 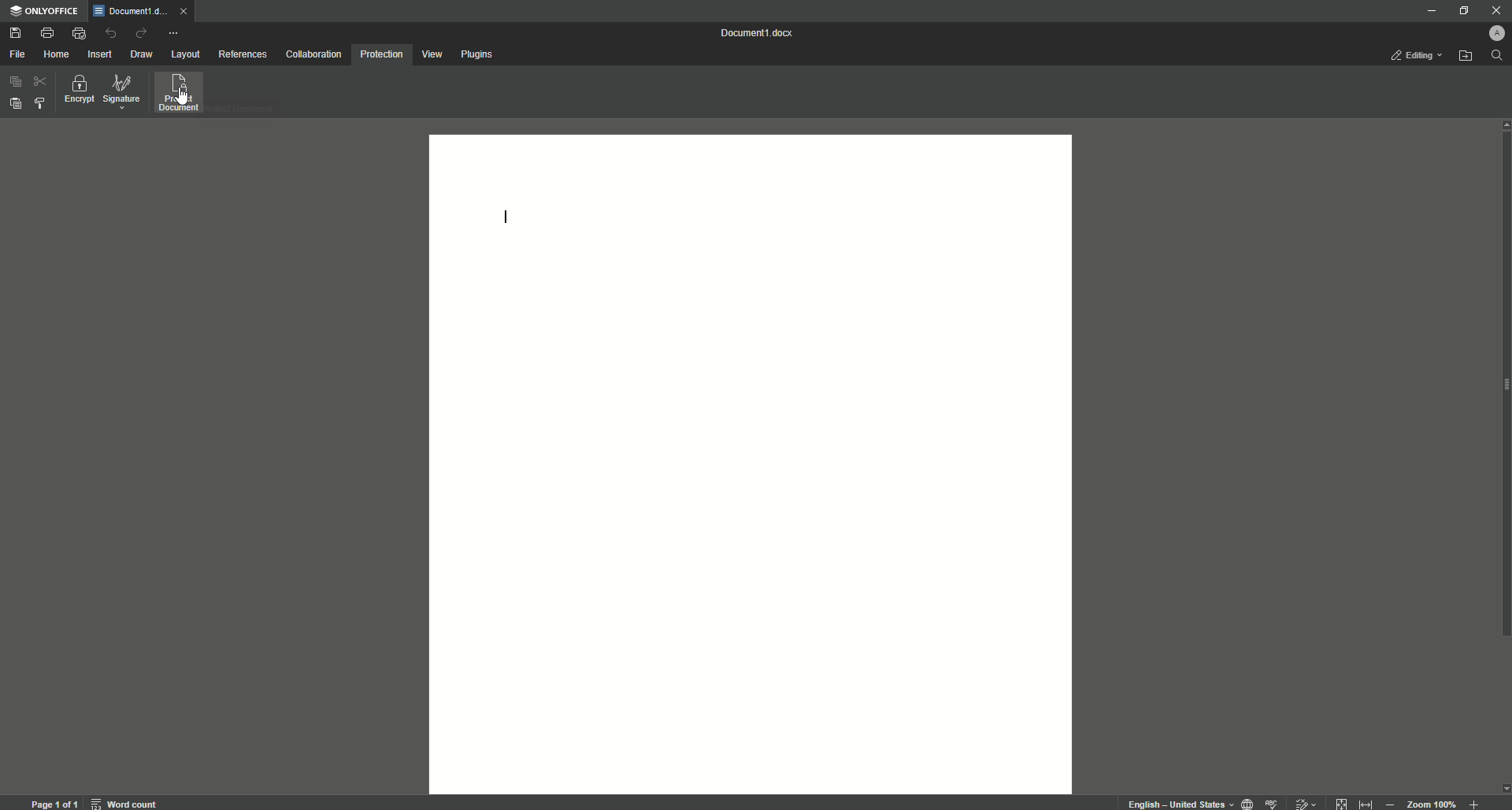 What do you see at coordinates (1503, 124) in the screenshot?
I see `scroll up` at bounding box center [1503, 124].